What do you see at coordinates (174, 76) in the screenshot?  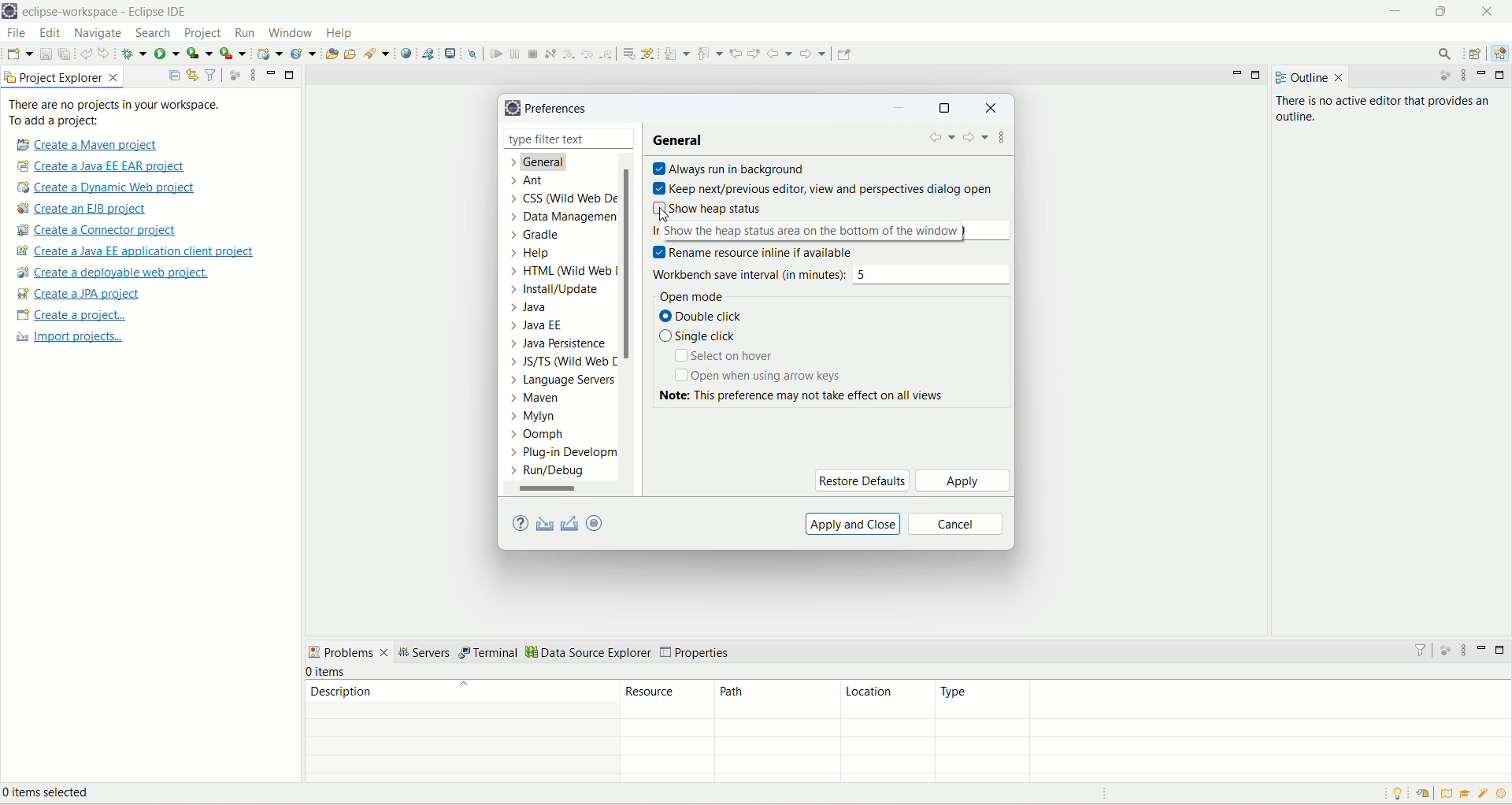 I see `collapse all` at bounding box center [174, 76].